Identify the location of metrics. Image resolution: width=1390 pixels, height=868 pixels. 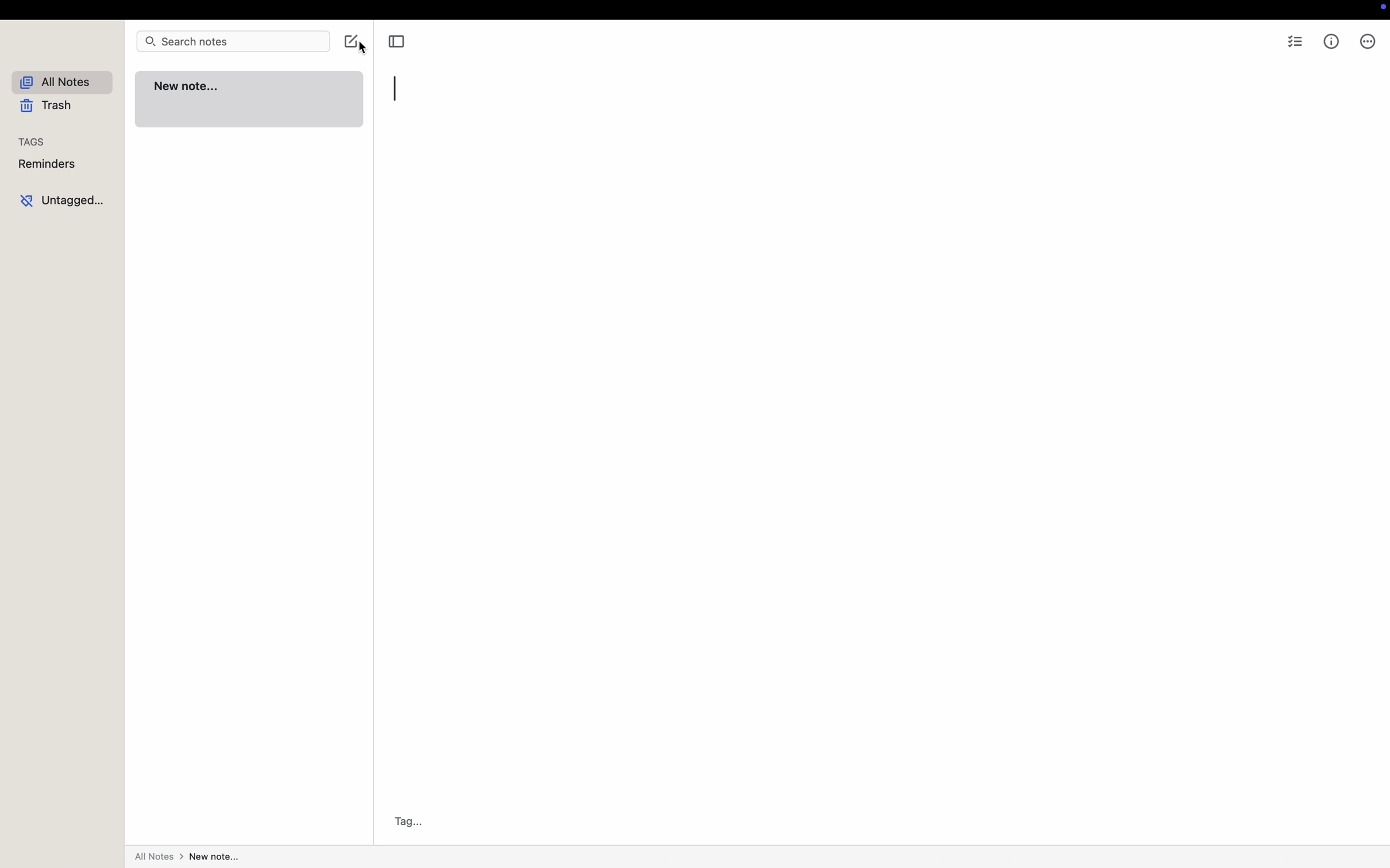
(1332, 43).